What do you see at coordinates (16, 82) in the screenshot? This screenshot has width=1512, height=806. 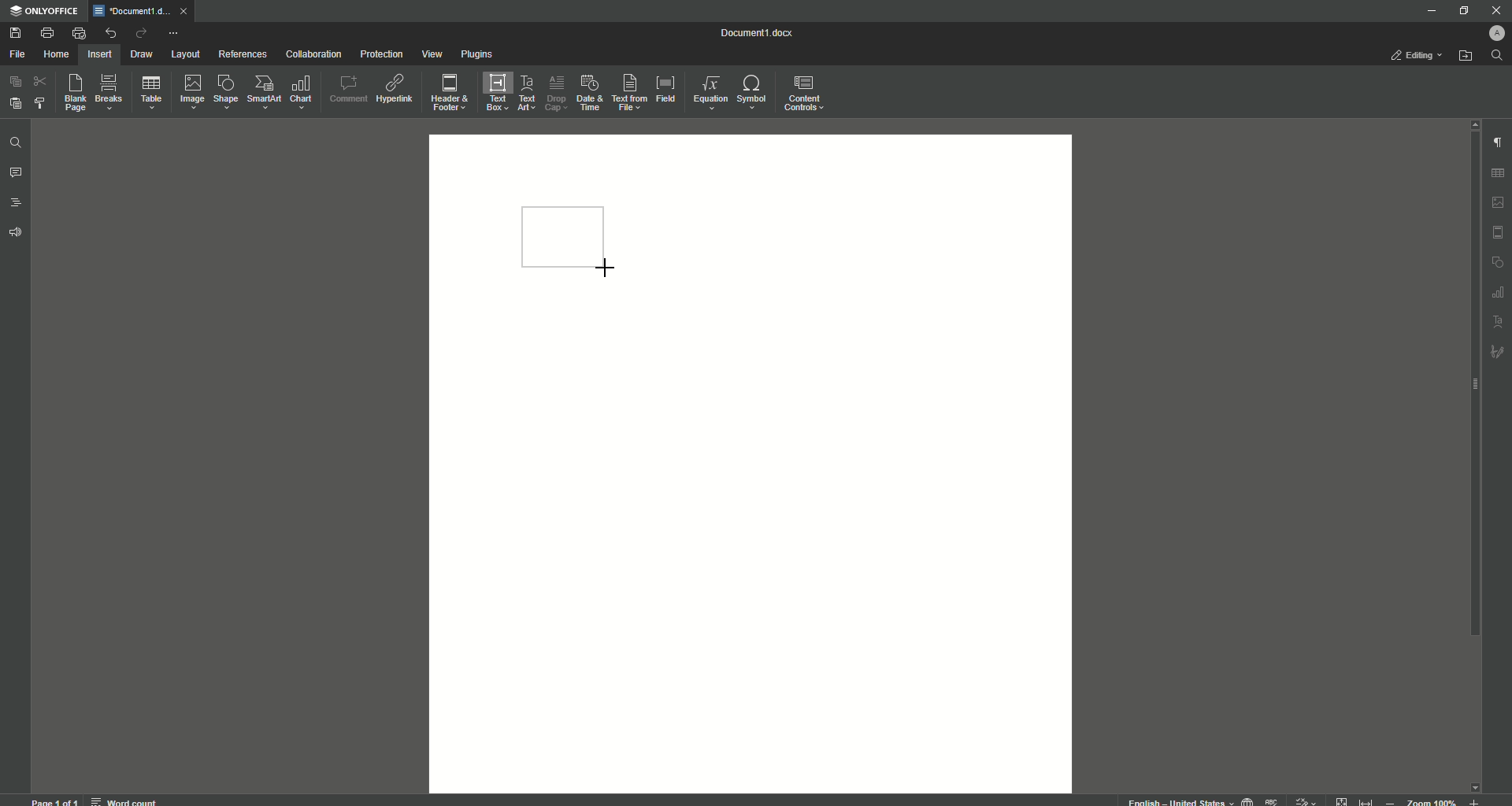 I see `Copy` at bounding box center [16, 82].